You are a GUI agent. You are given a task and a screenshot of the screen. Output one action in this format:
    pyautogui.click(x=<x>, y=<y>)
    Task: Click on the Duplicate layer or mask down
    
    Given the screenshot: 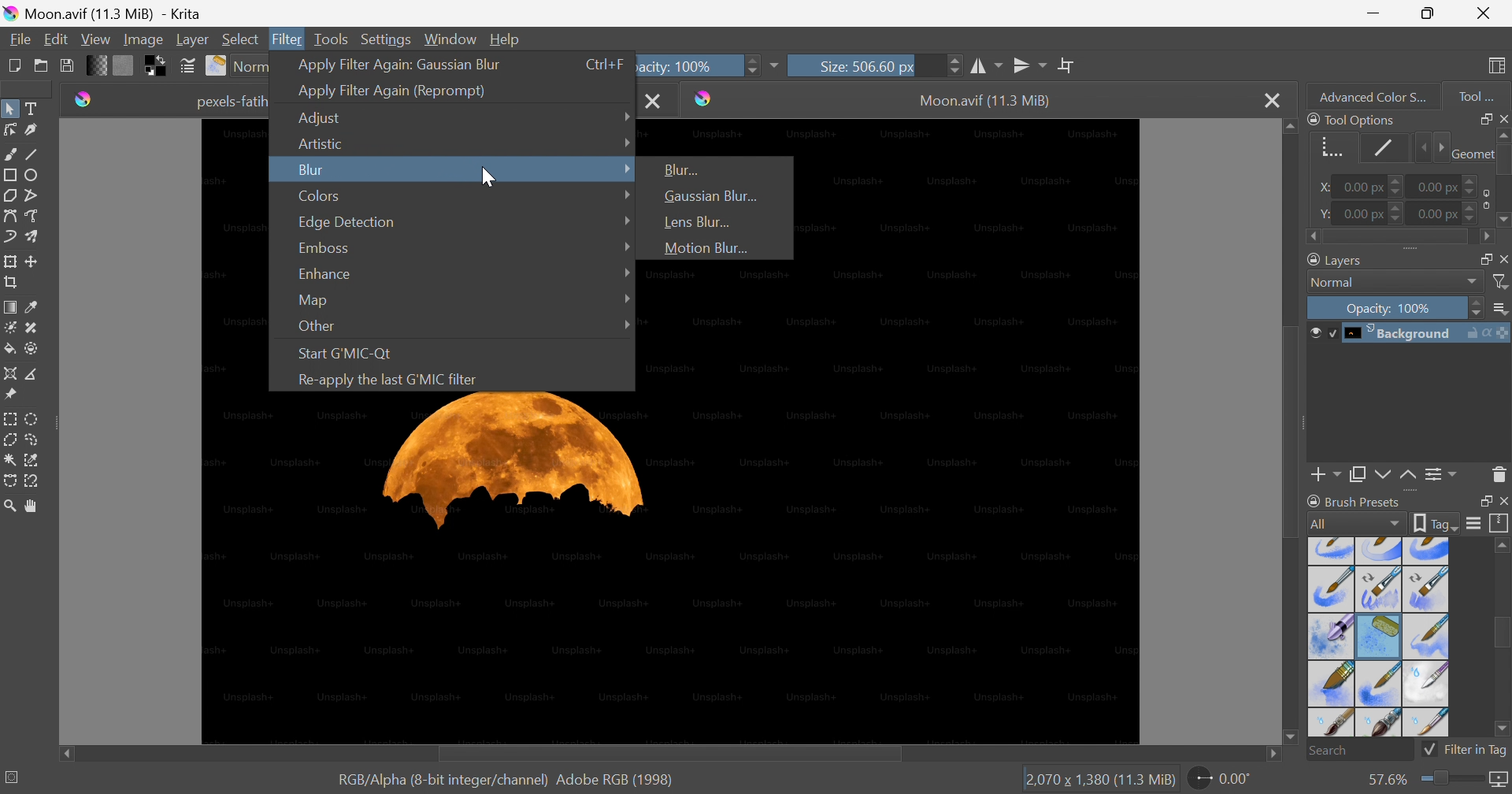 What is the action you would take?
    pyautogui.click(x=1357, y=477)
    